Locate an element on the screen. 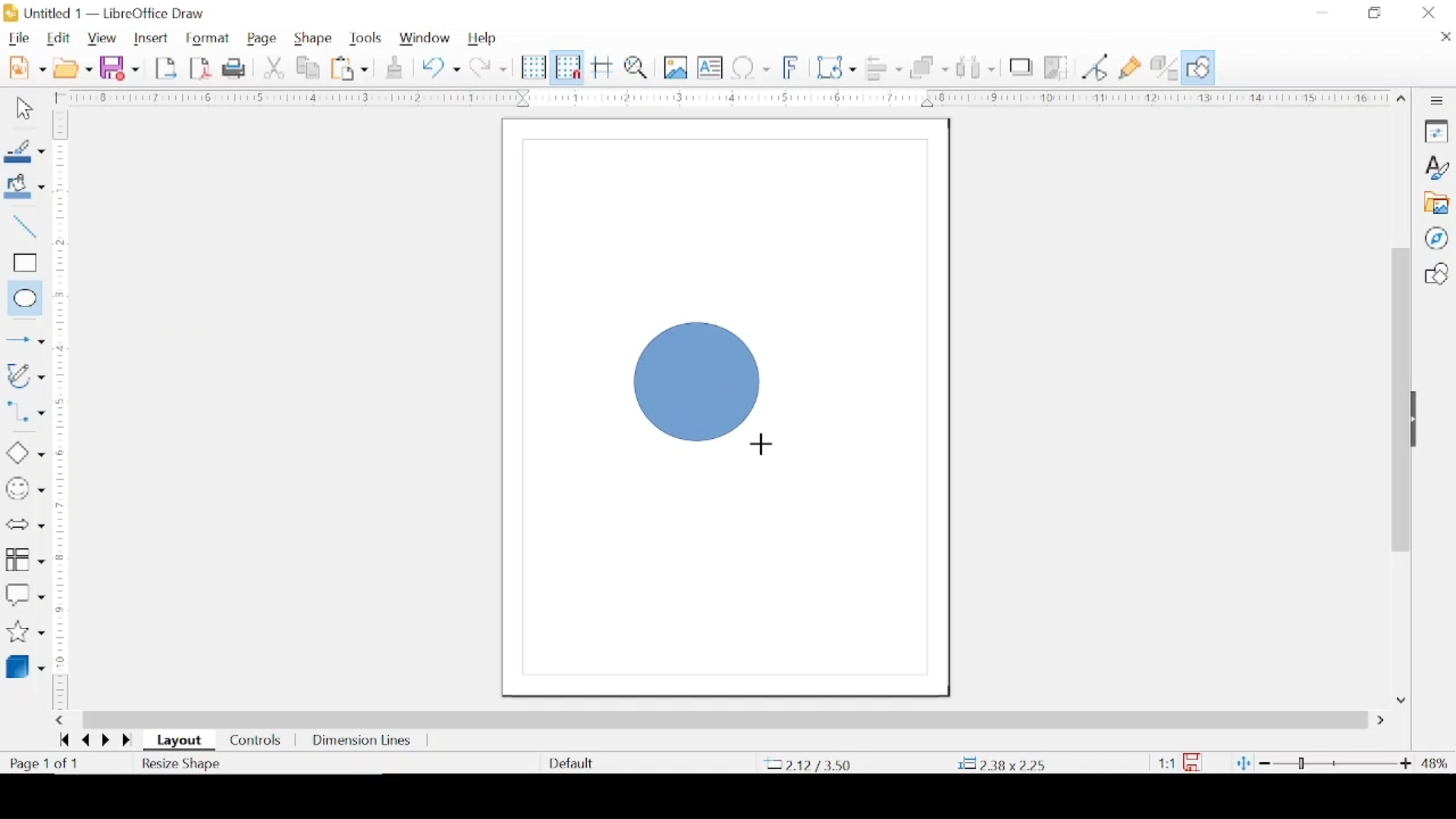  toggle point edit mode  is located at coordinates (1096, 67).